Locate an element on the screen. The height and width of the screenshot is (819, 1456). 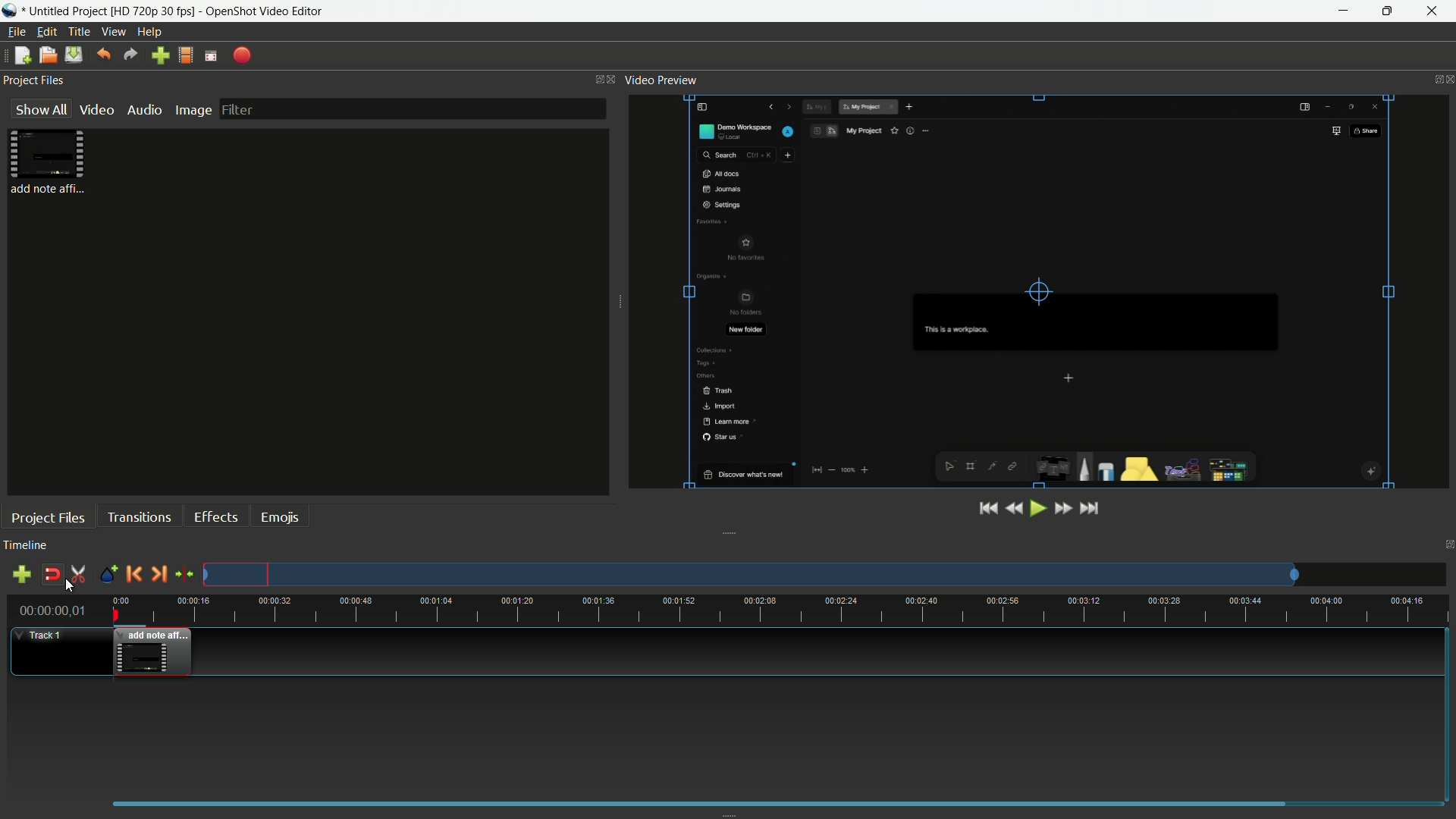
profile is located at coordinates (185, 56).